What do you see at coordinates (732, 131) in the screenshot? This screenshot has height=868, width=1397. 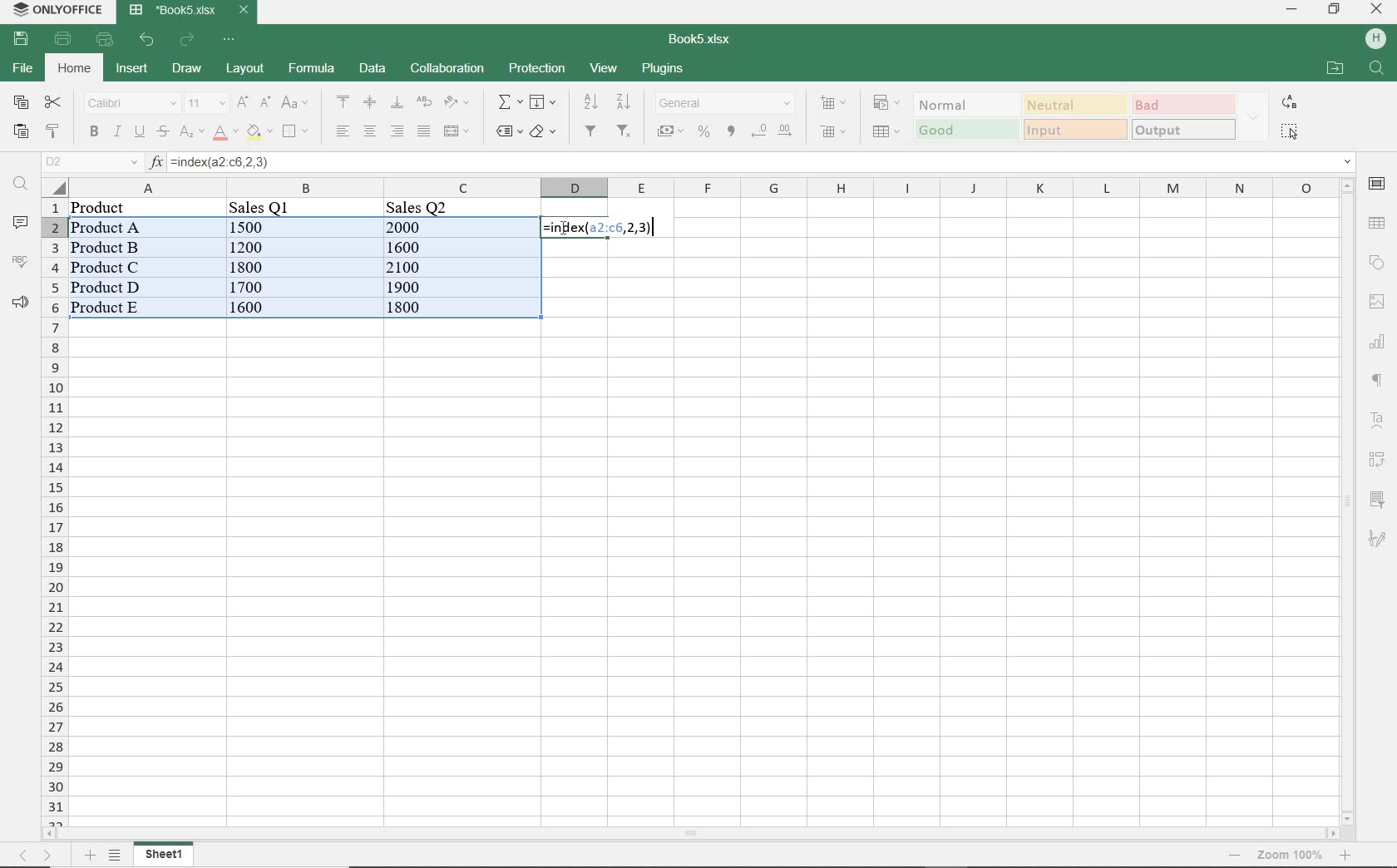 I see `comma style` at bounding box center [732, 131].